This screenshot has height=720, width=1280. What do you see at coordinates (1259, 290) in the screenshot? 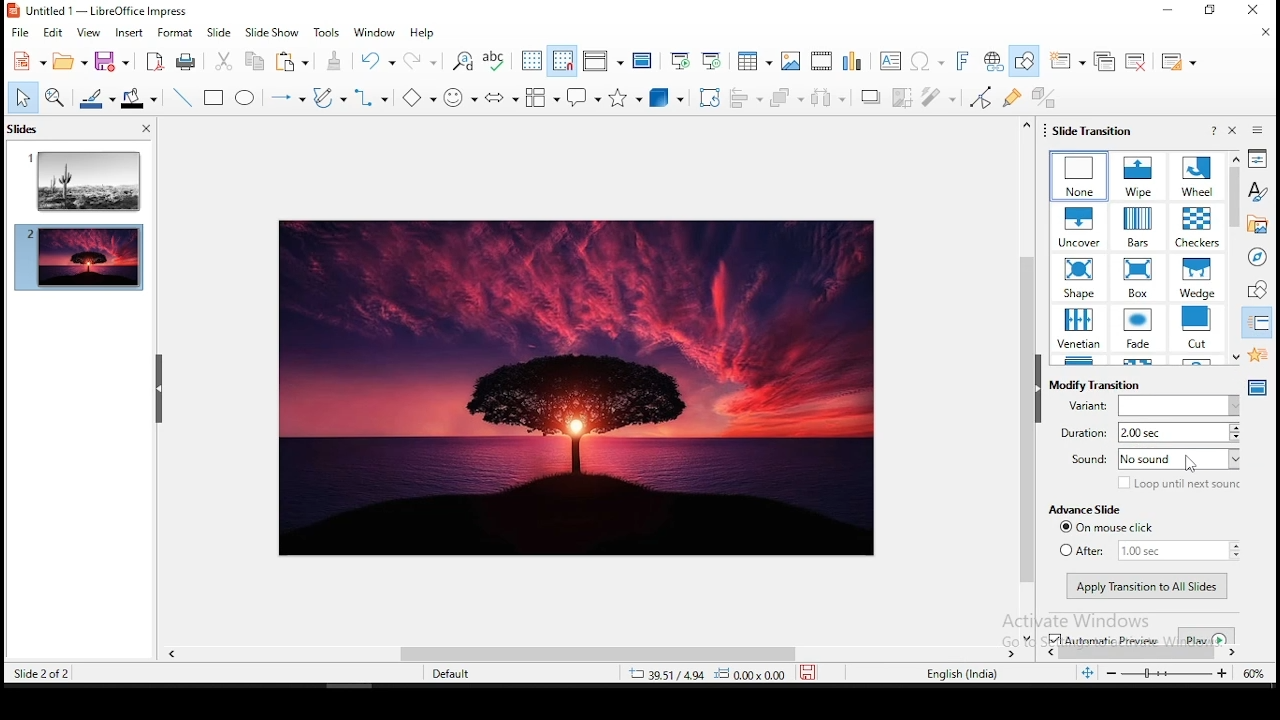
I see `shapes` at bounding box center [1259, 290].